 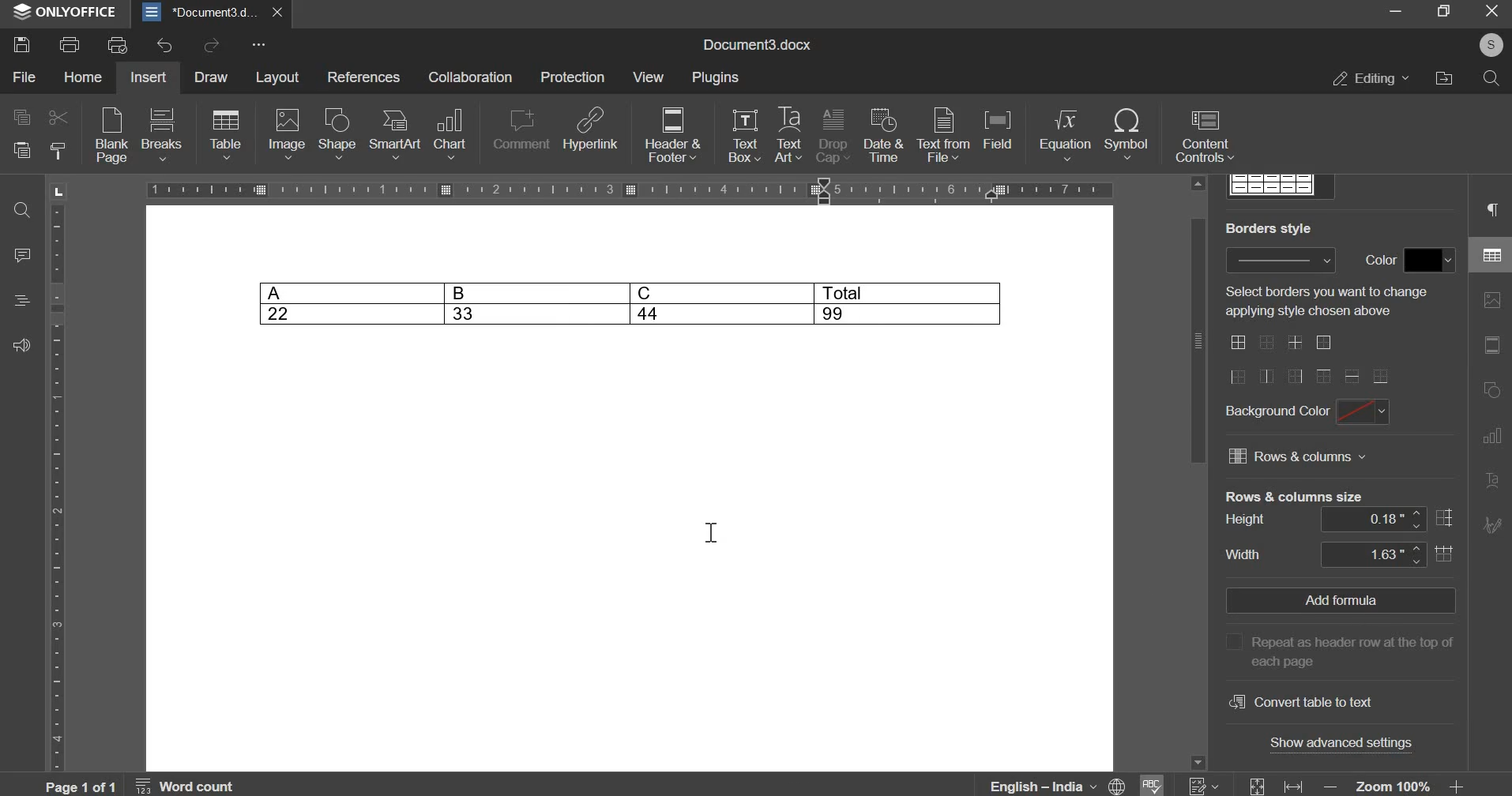 I want to click on maximize, so click(x=1445, y=13).